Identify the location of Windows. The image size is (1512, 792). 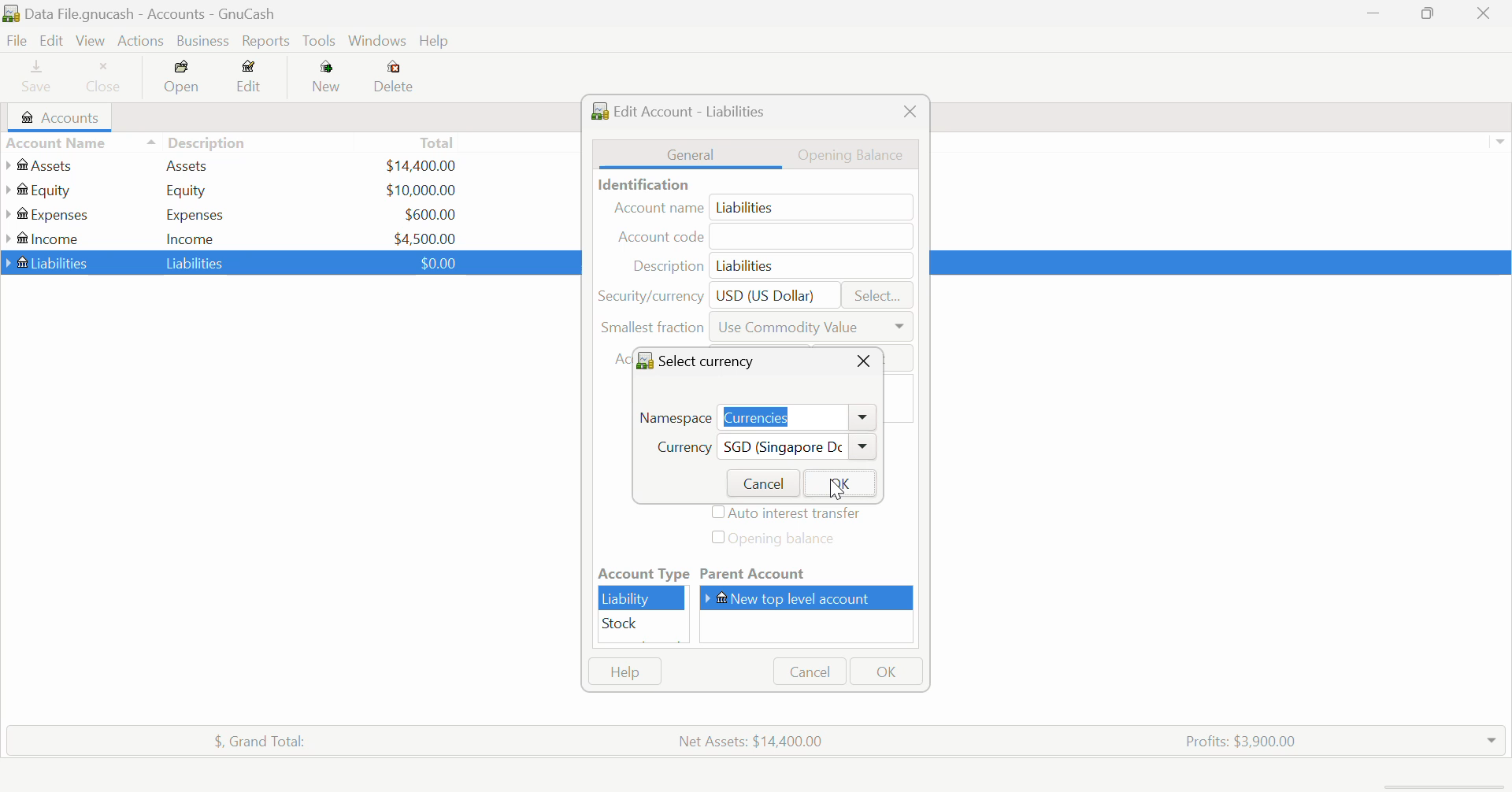
(378, 43).